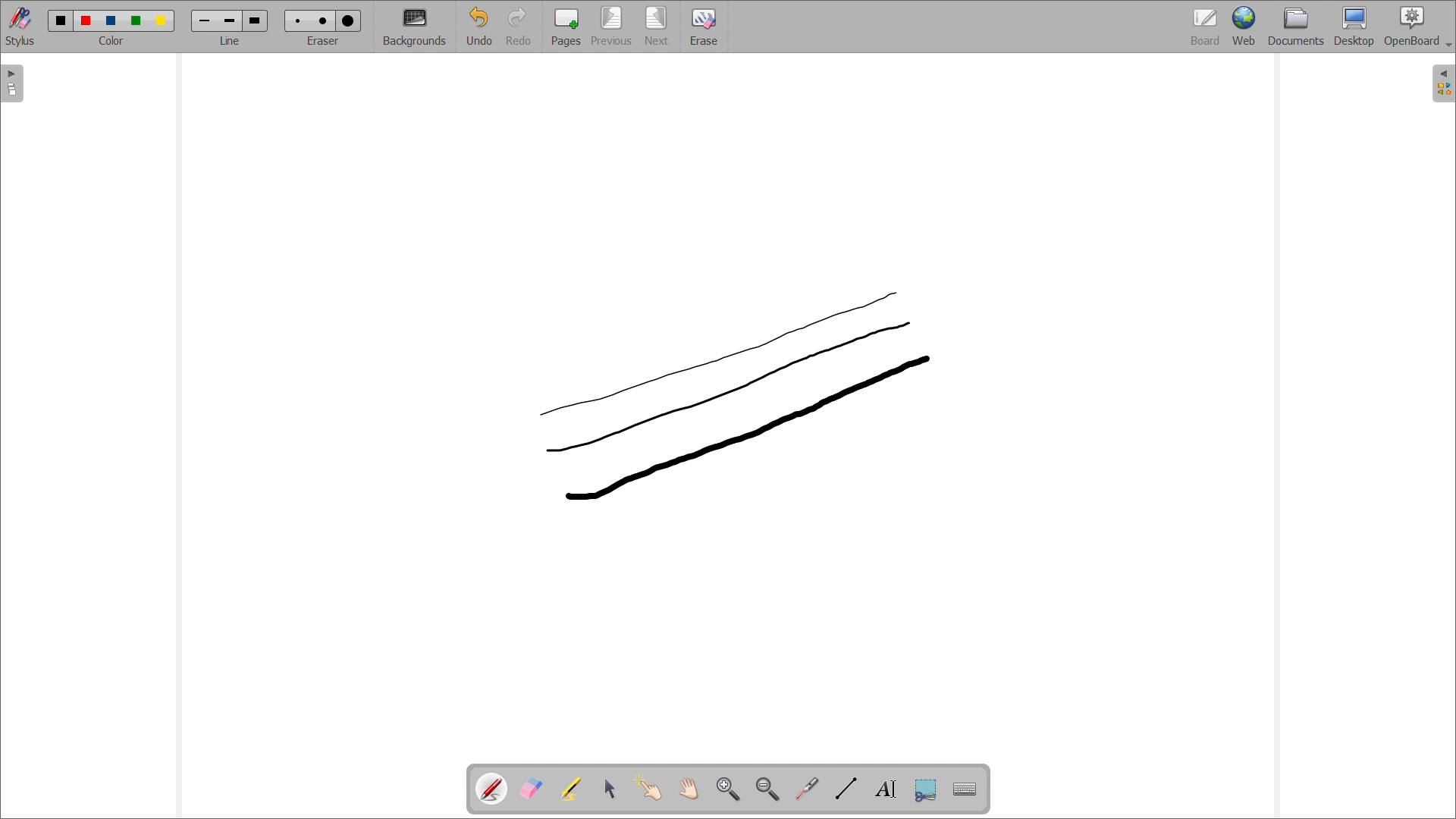  What do you see at coordinates (612, 26) in the screenshot?
I see `previous page` at bounding box center [612, 26].